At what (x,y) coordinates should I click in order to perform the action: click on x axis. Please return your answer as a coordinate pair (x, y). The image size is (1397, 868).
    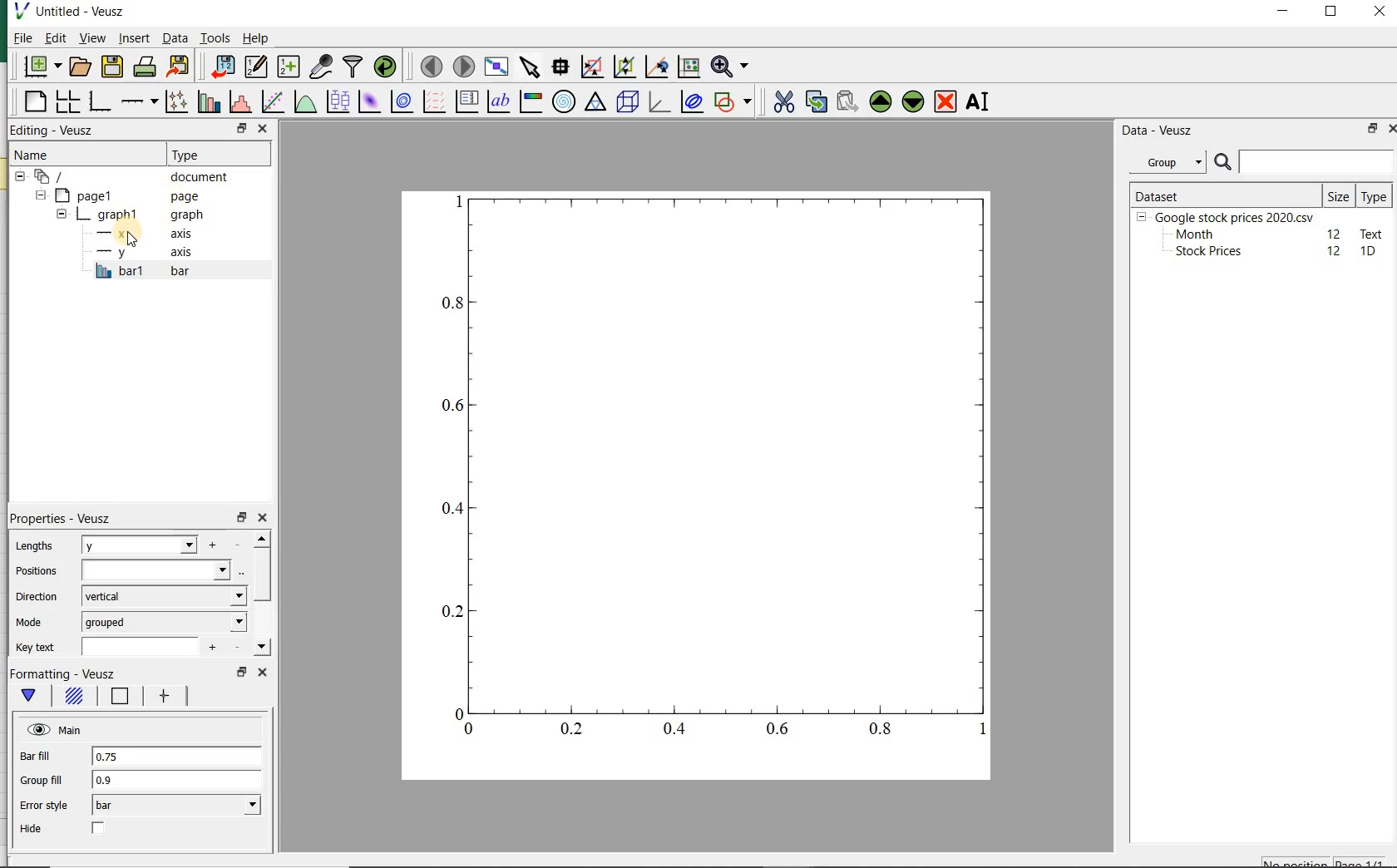
    Looking at the image, I should click on (137, 234).